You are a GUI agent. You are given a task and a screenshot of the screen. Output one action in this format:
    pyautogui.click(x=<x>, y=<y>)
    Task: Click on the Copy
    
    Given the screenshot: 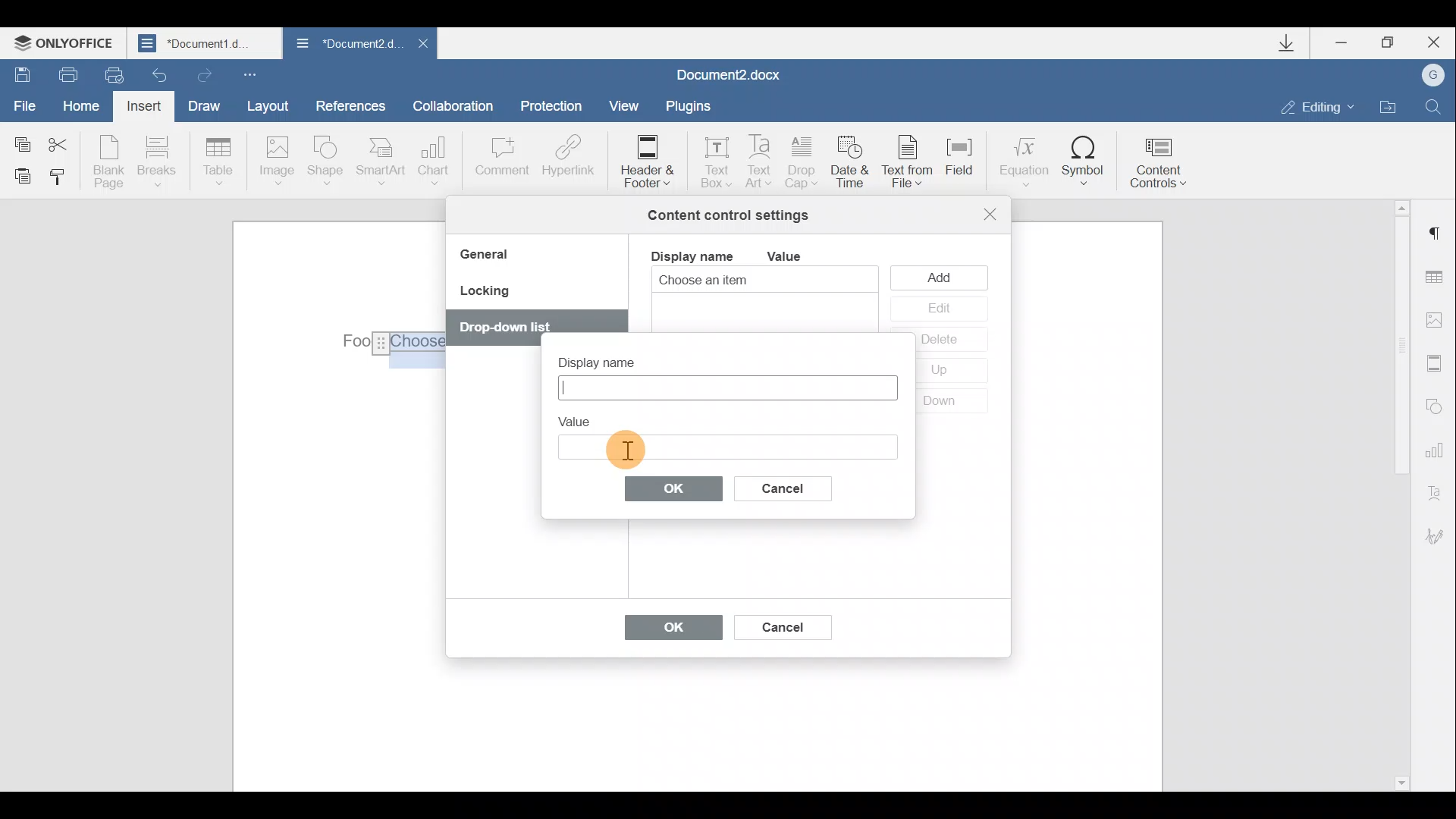 What is the action you would take?
    pyautogui.click(x=21, y=141)
    